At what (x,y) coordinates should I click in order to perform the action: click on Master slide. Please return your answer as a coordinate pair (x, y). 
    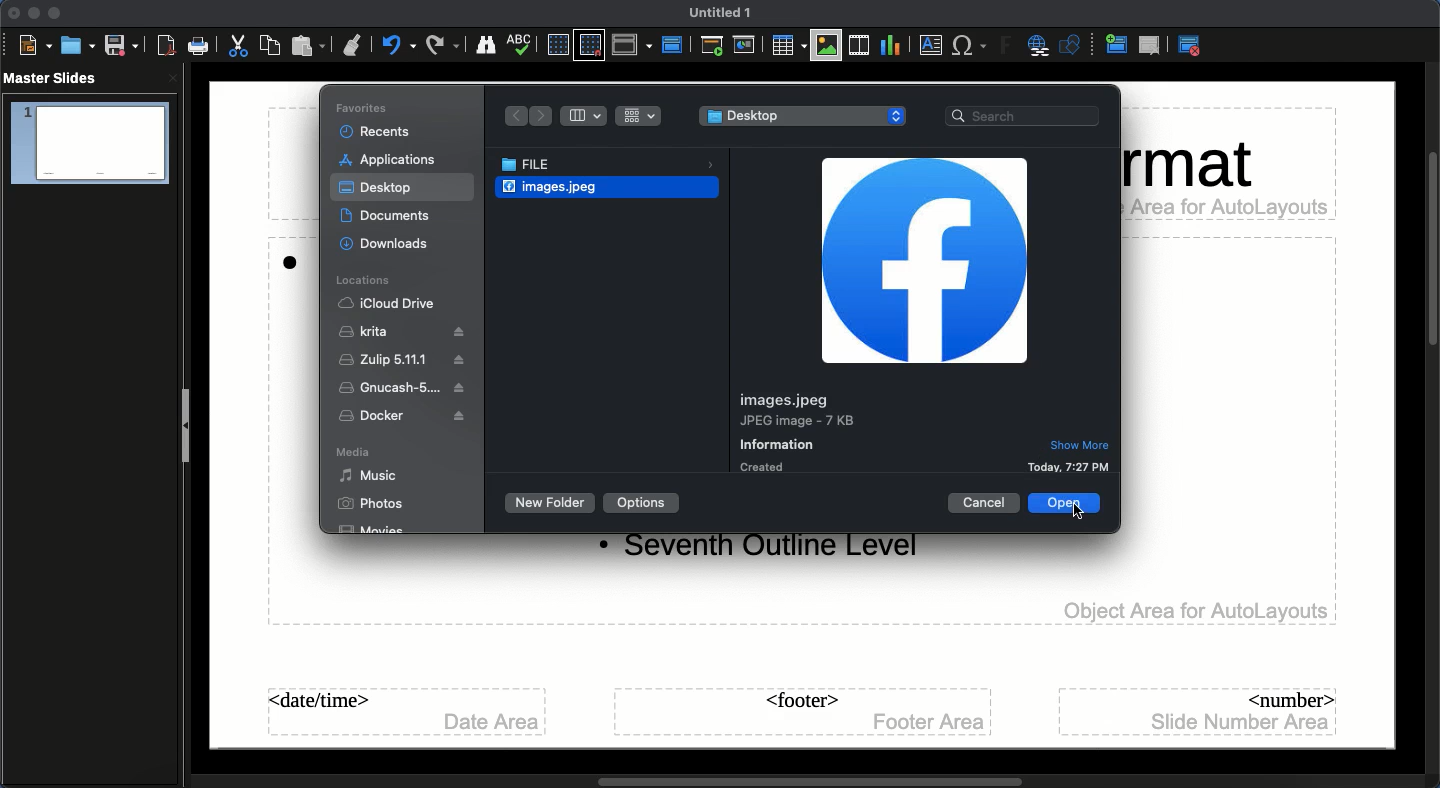
    Looking at the image, I should click on (675, 40).